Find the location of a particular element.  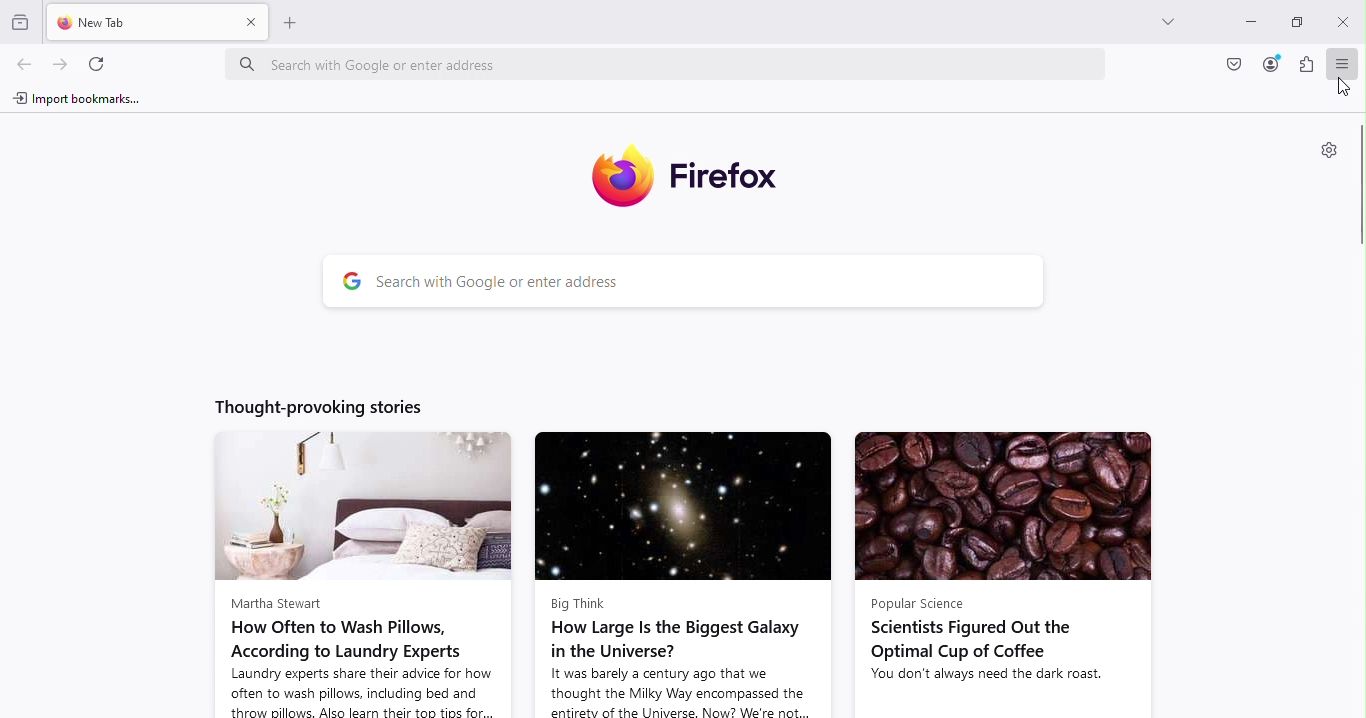

Close is located at coordinates (1345, 18).